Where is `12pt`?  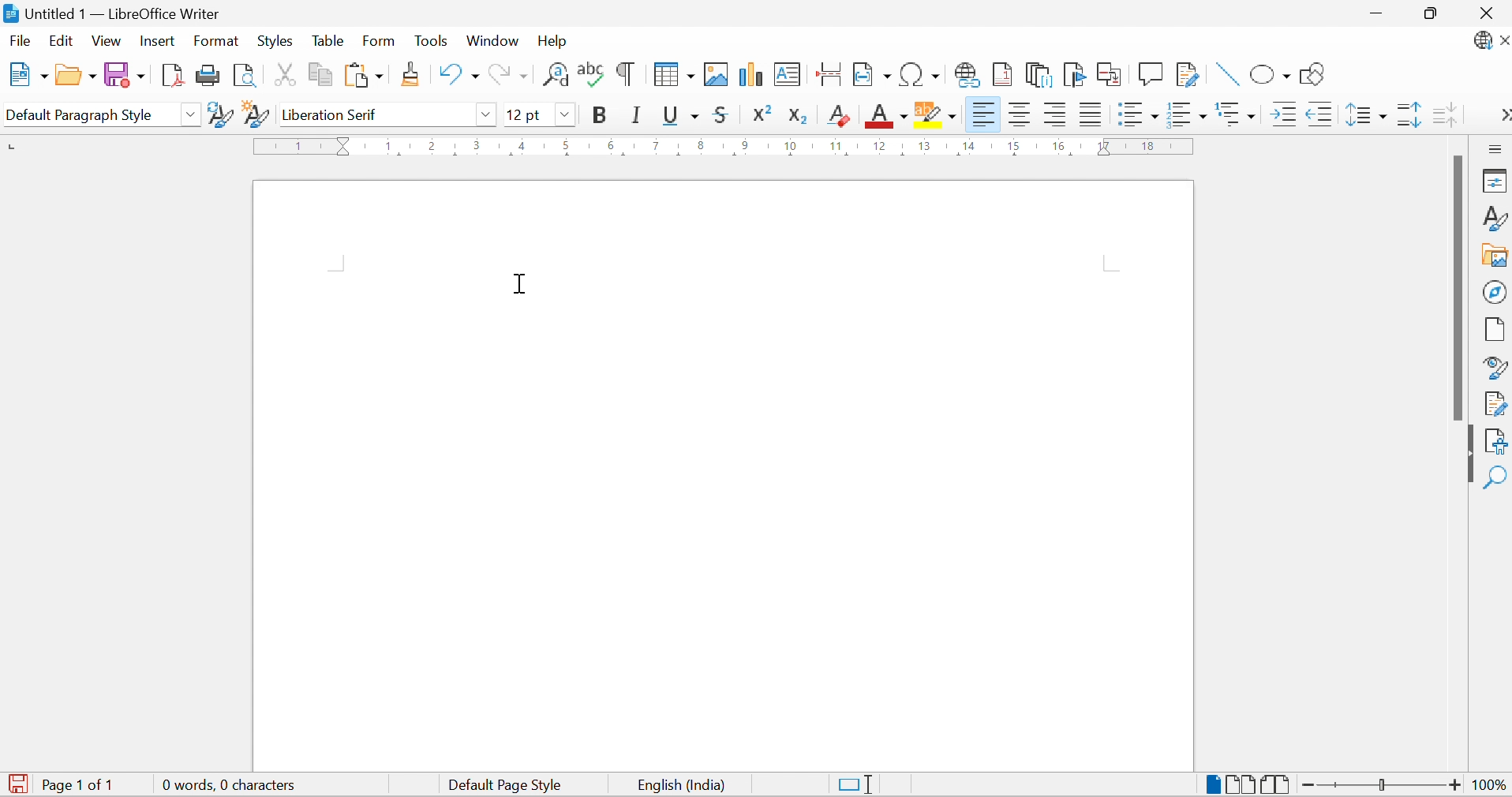 12pt is located at coordinates (525, 114).